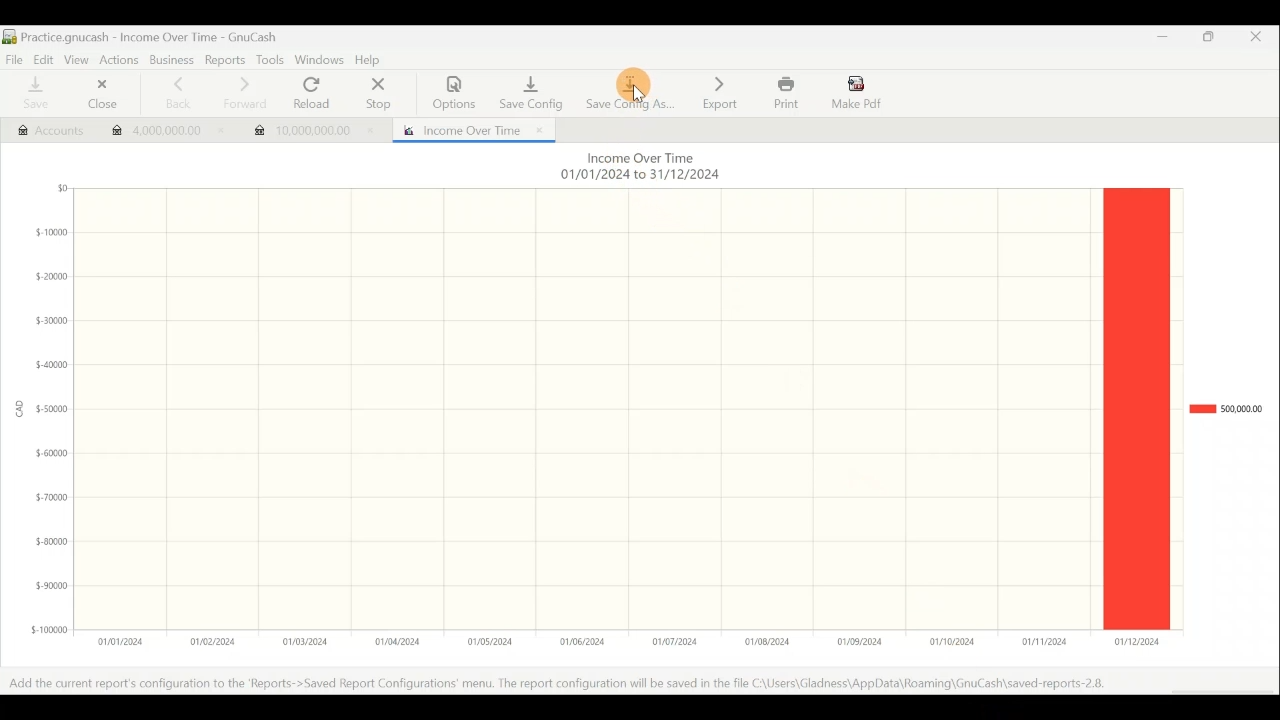  Describe the element at coordinates (227, 60) in the screenshot. I see `Reports` at that location.